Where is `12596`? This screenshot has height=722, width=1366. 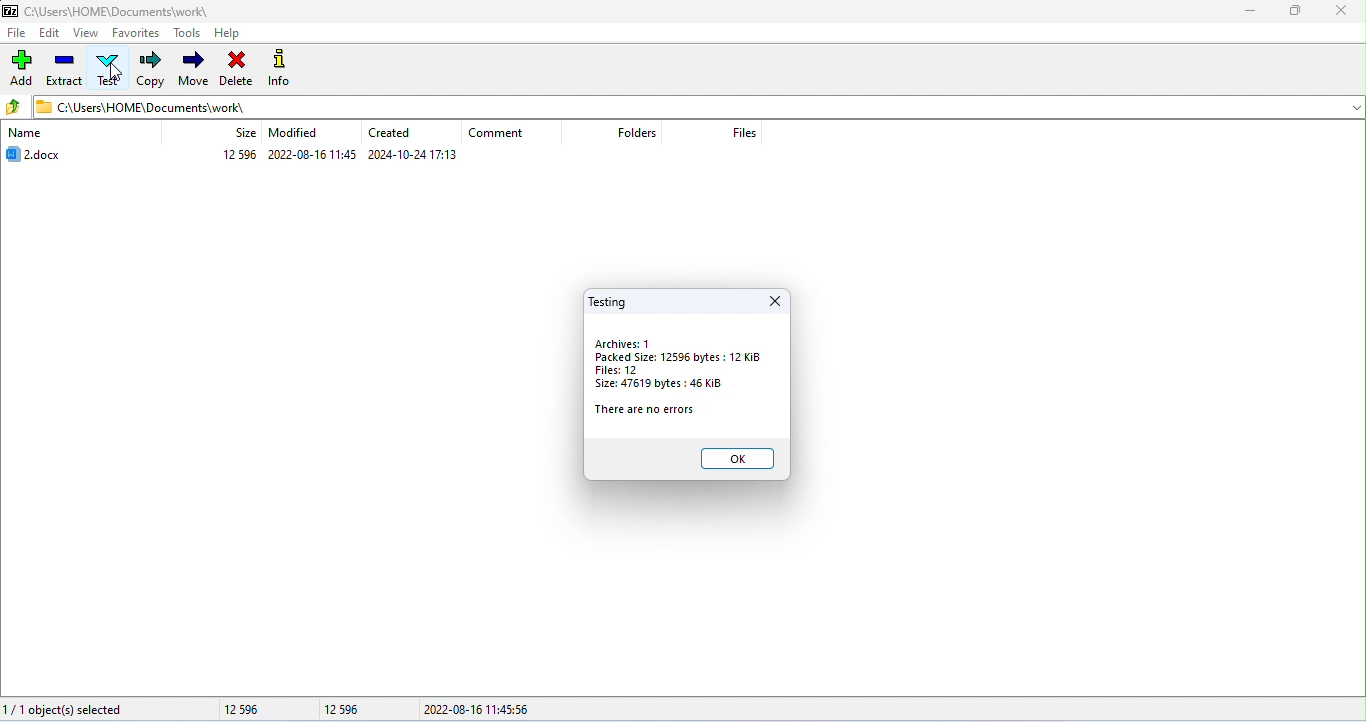
12596 is located at coordinates (240, 154).